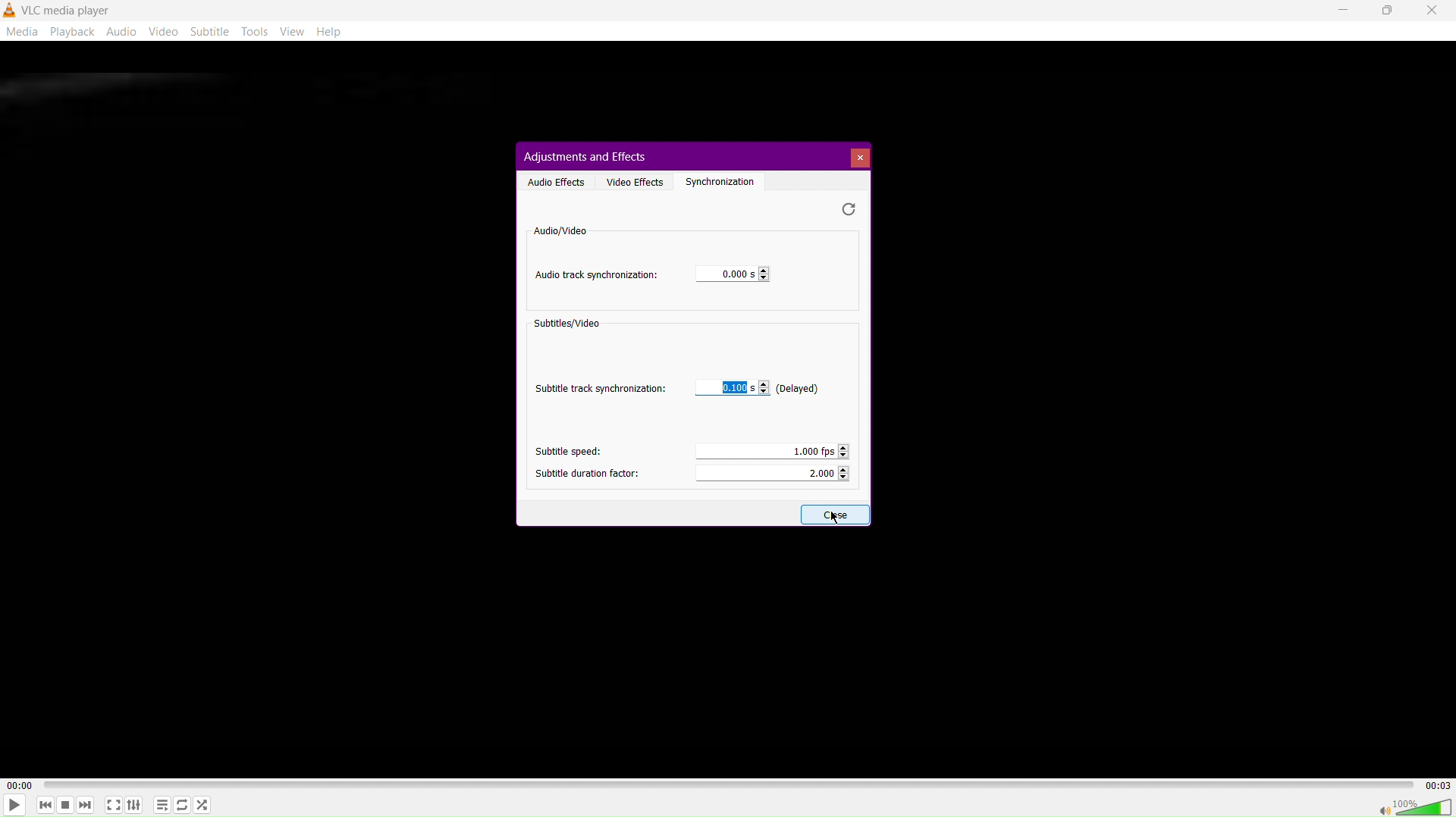 The height and width of the screenshot is (817, 1456). Describe the element at coordinates (42, 806) in the screenshot. I see `skip back` at that location.